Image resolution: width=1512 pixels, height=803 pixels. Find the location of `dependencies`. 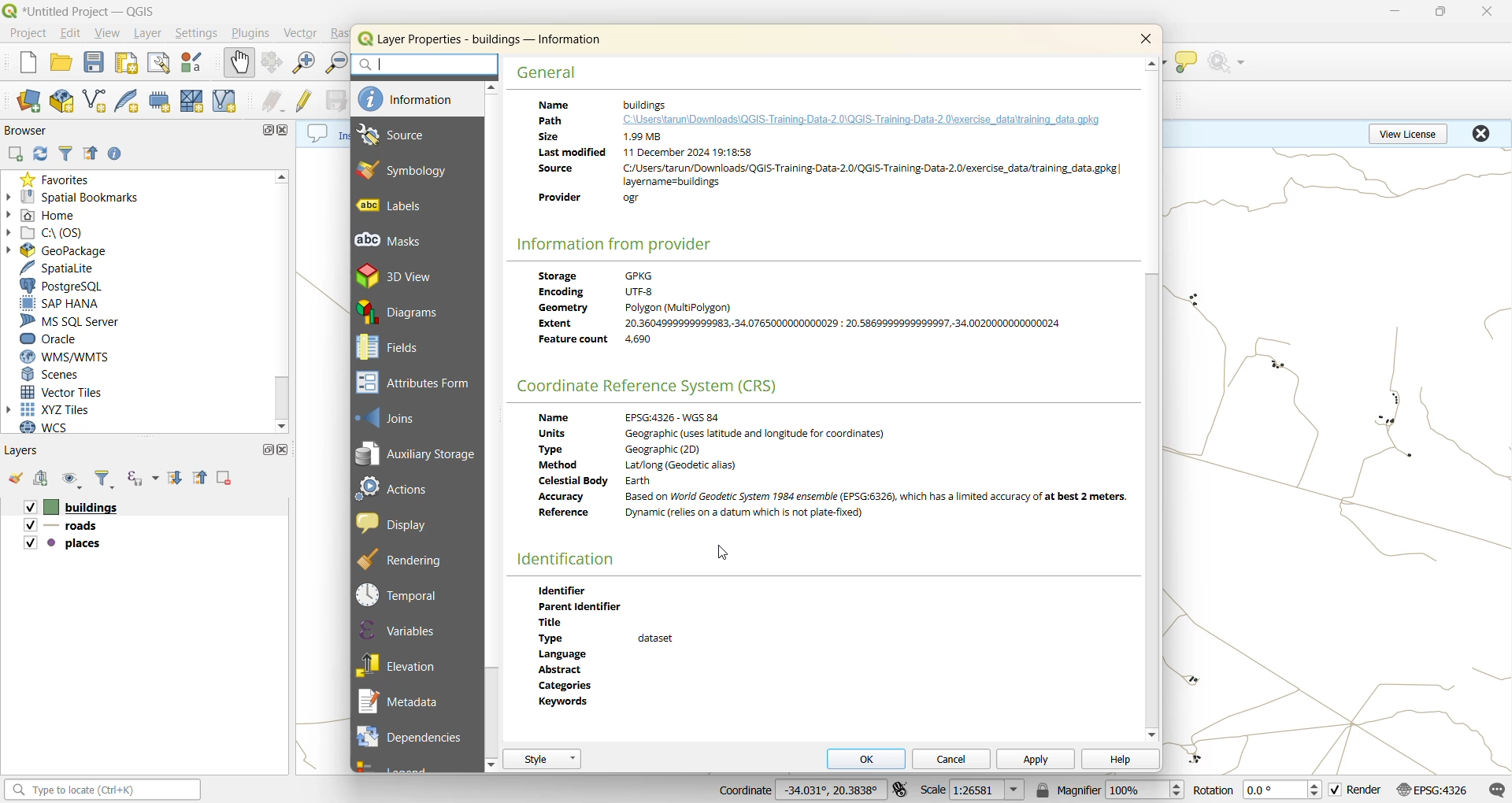

dependencies is located at coordinates (412, 735).